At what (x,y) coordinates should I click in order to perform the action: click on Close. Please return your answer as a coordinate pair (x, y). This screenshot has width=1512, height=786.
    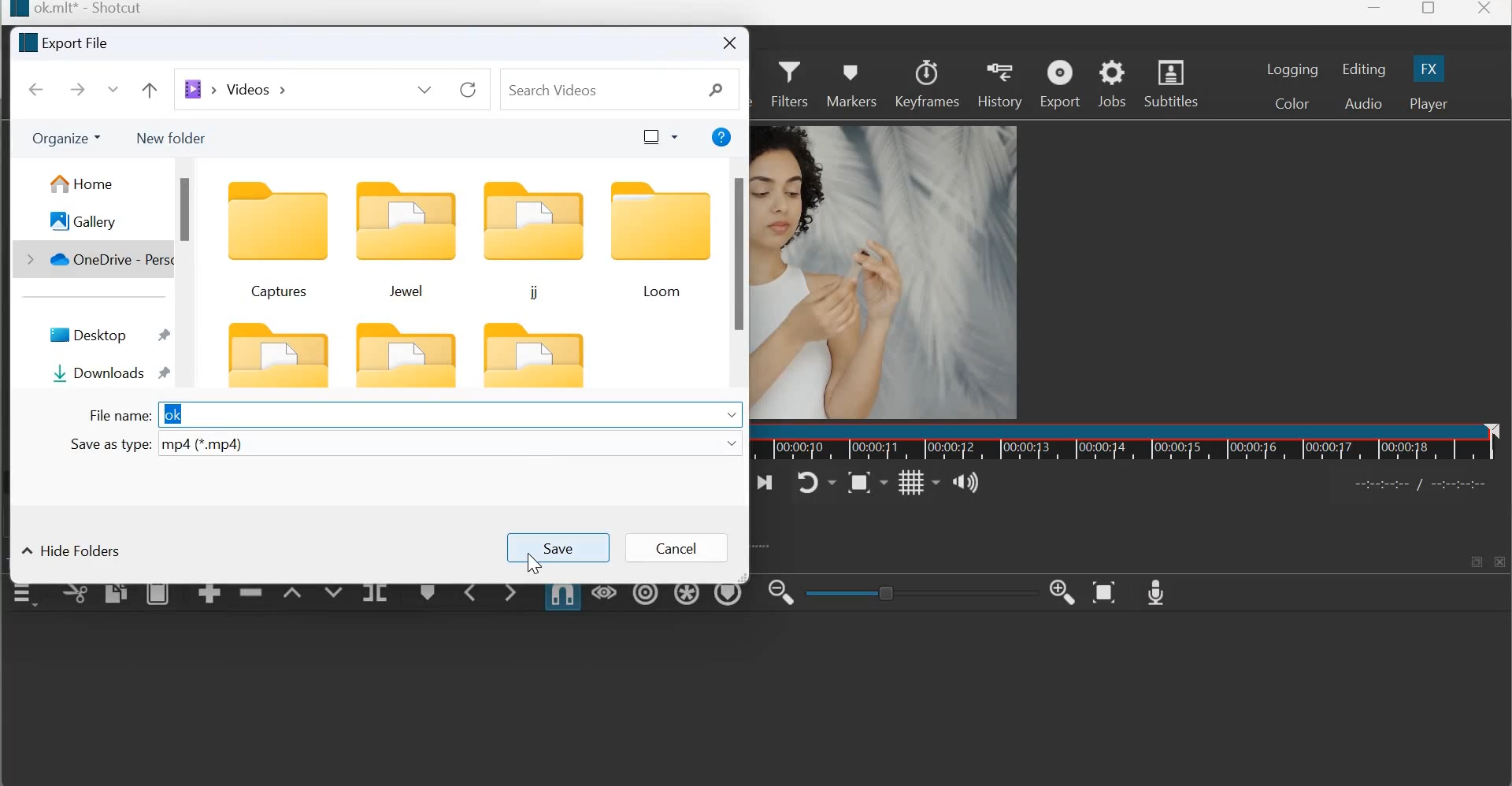
    Looking at the image, I should click on (728, 43).